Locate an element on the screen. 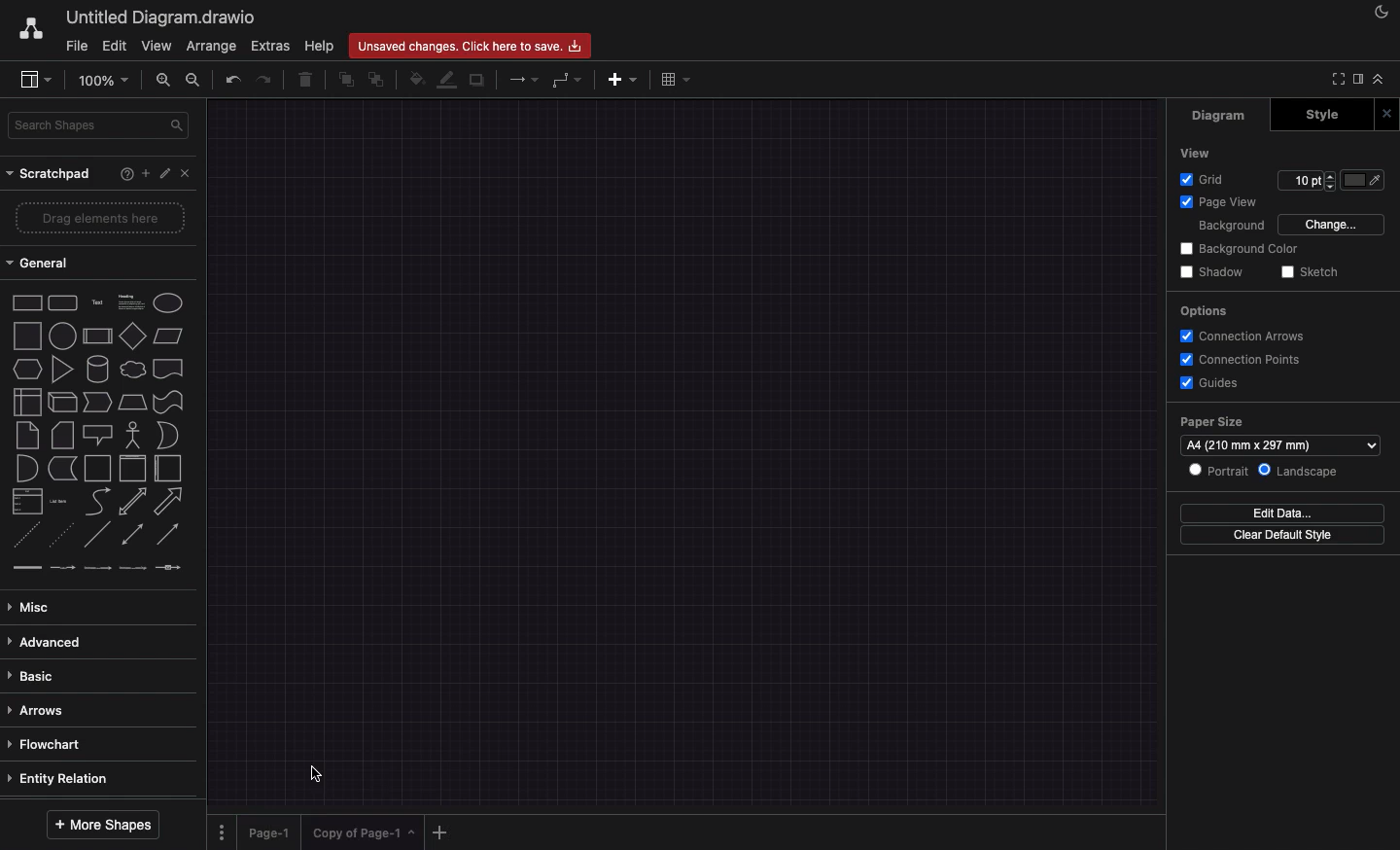  scratchpad is located at coordinates (50, 174).